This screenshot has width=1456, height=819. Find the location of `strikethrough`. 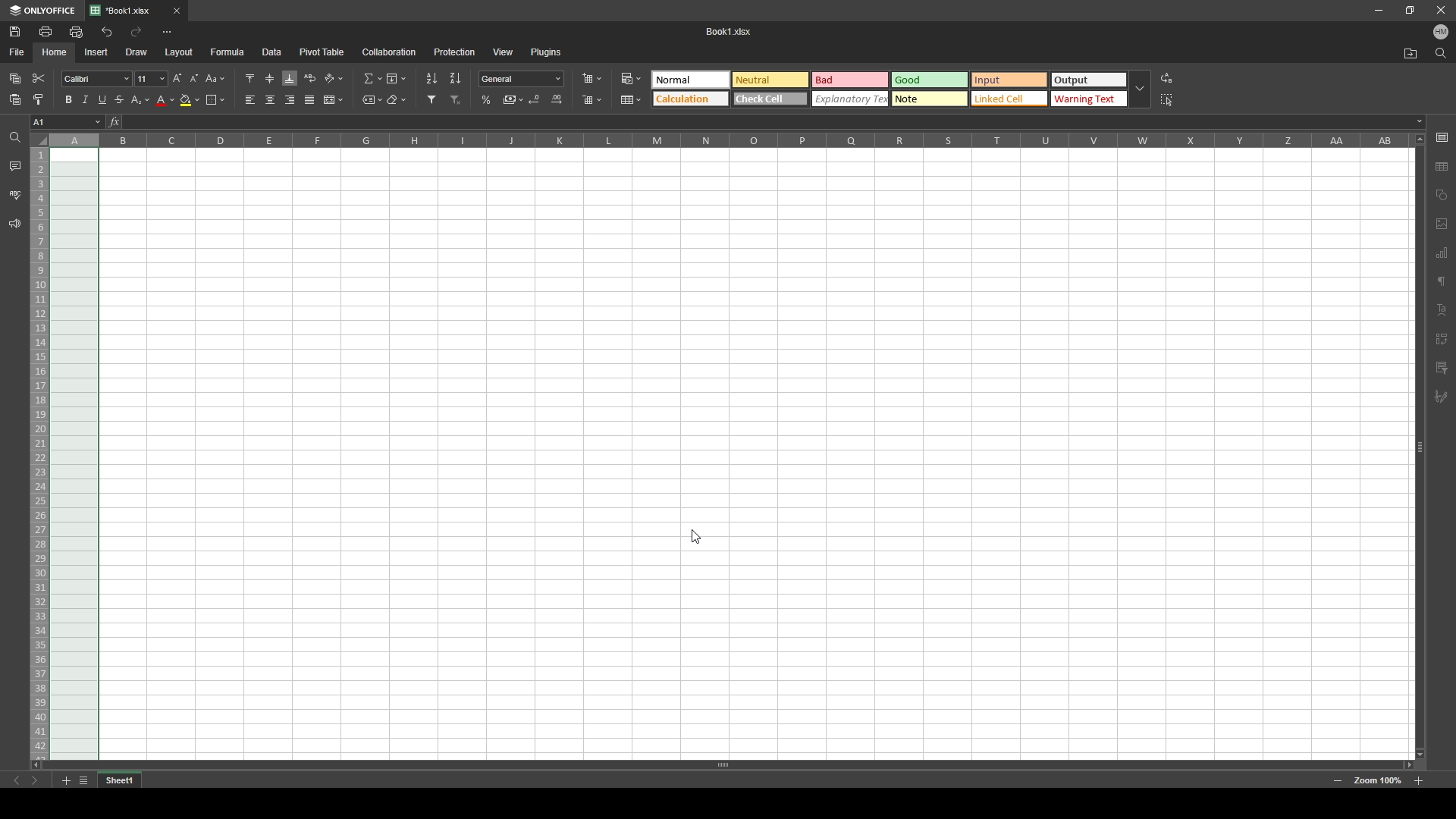

strikethrough is located at coordinates (120, 100).